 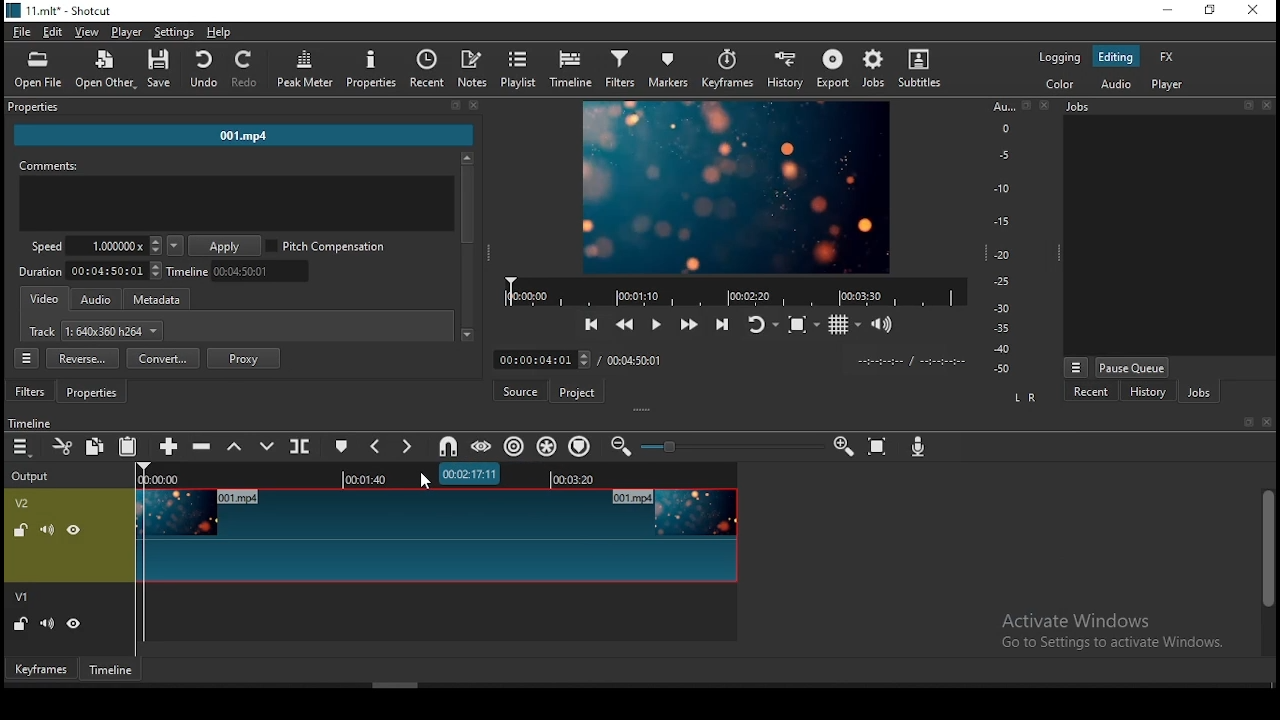 What do you see at coordinates (623, 70) in the screenshot?
I see `filters` at bounding box center [623, 70].